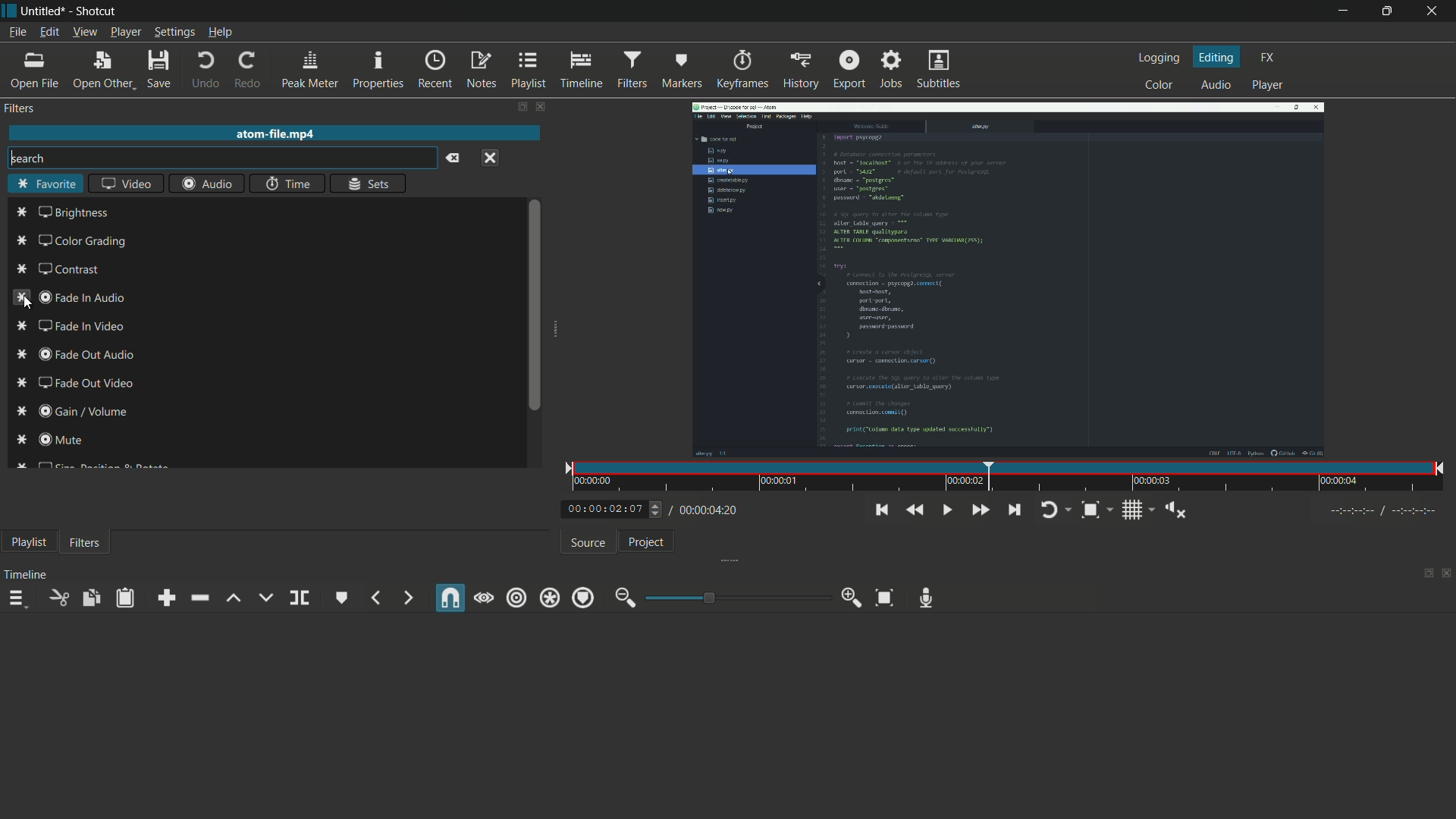  I want to click on cut, so click(58, 598).